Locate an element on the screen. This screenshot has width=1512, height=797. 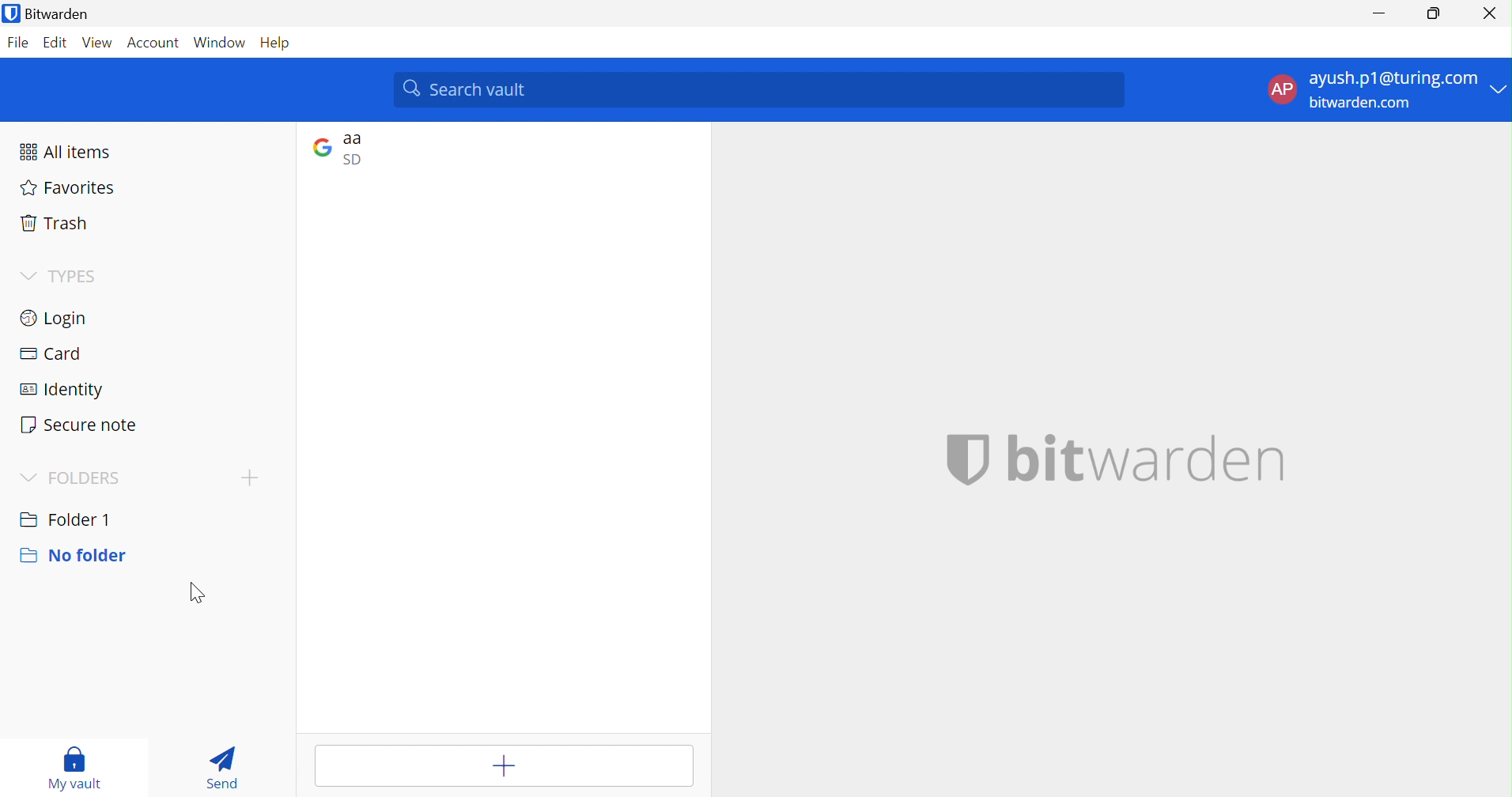
bitwarden logo is located at coordinates (962, 460).